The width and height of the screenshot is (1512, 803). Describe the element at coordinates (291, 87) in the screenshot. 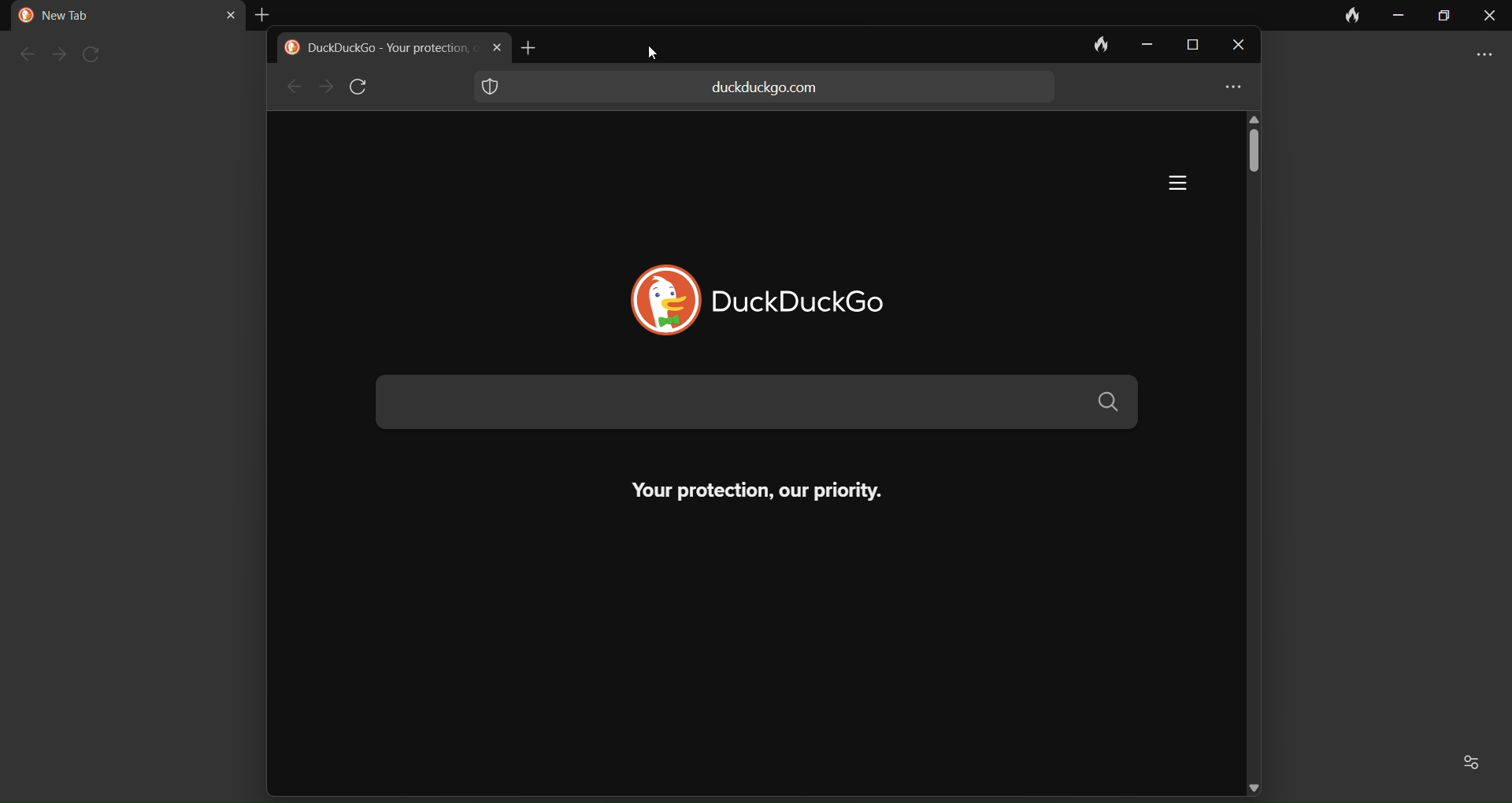

I see `back` at that location.